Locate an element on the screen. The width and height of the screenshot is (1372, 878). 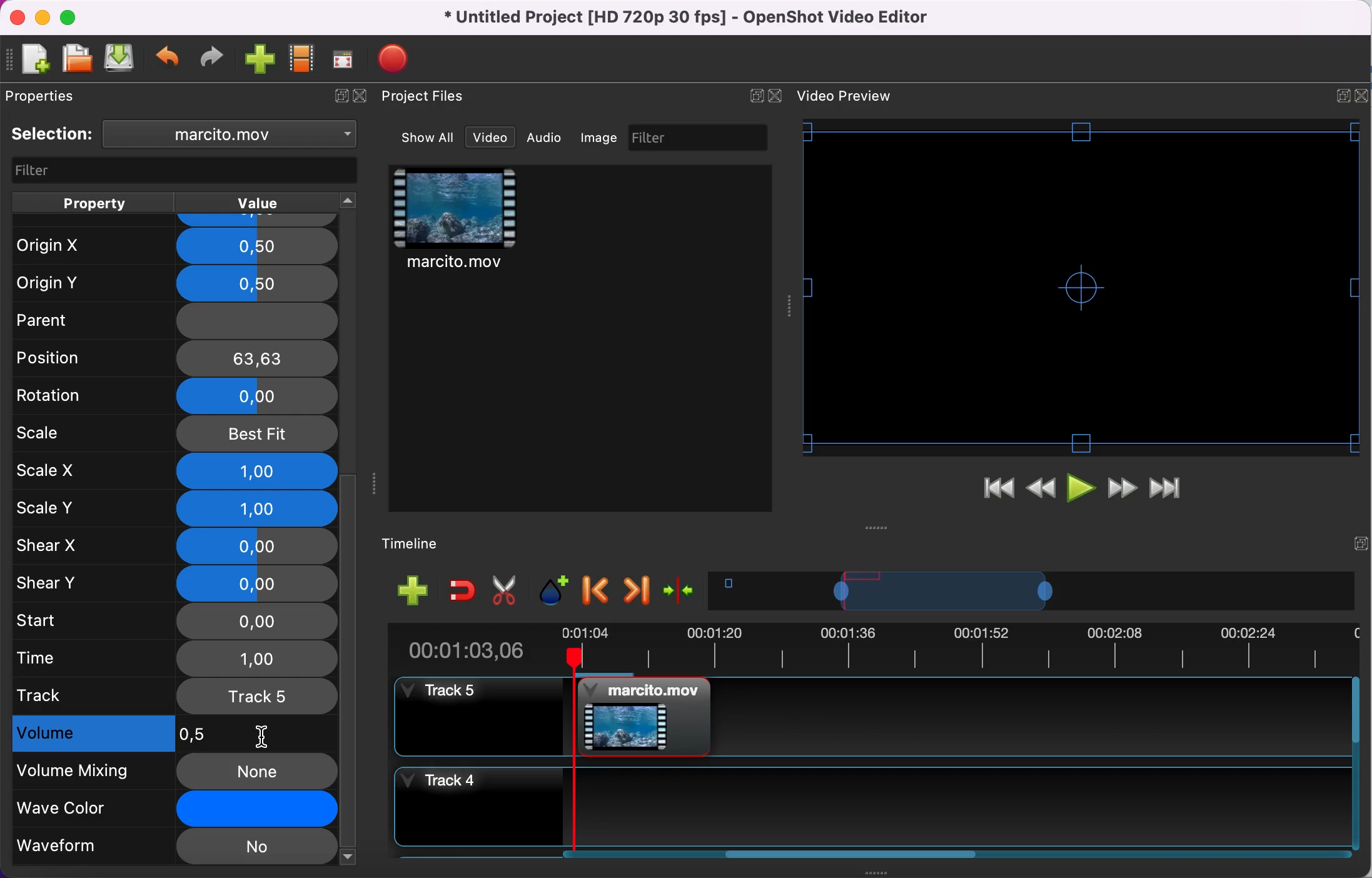
scale y 1 is located at coordinates (180, 510).